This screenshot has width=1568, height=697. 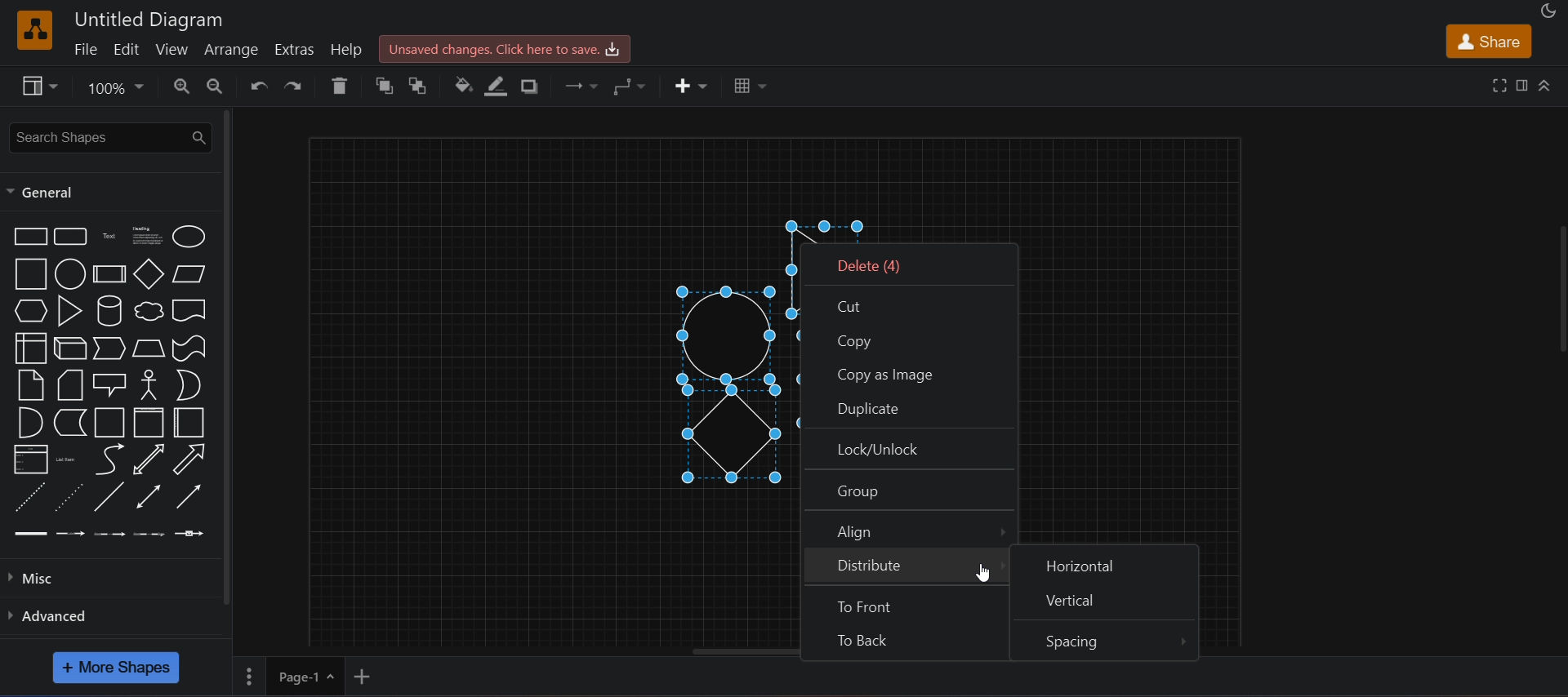 I want to click on horizontal container, so click(x=189, y=422).